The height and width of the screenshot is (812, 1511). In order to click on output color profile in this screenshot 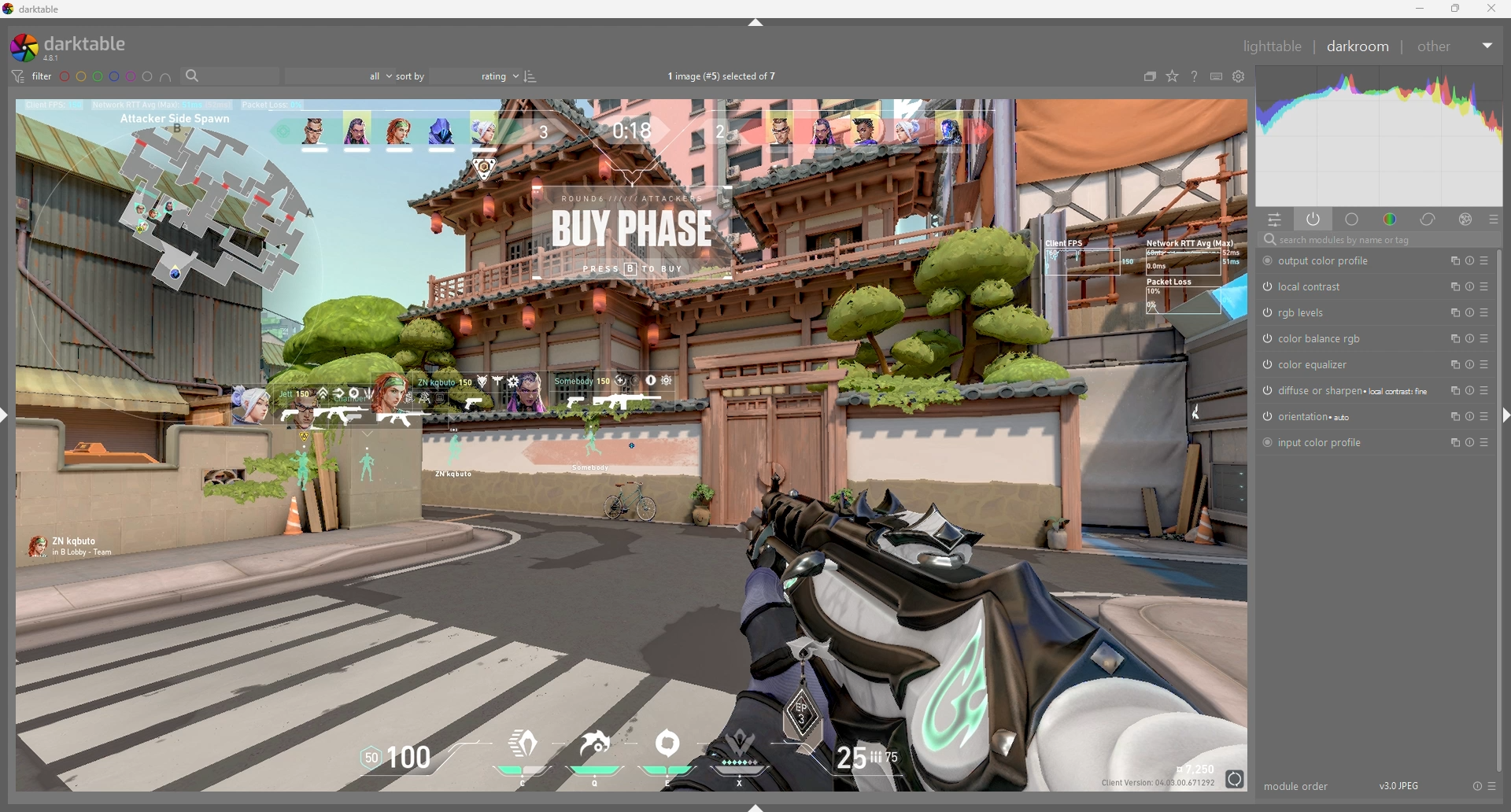, I will do `click(1322, 260)`.